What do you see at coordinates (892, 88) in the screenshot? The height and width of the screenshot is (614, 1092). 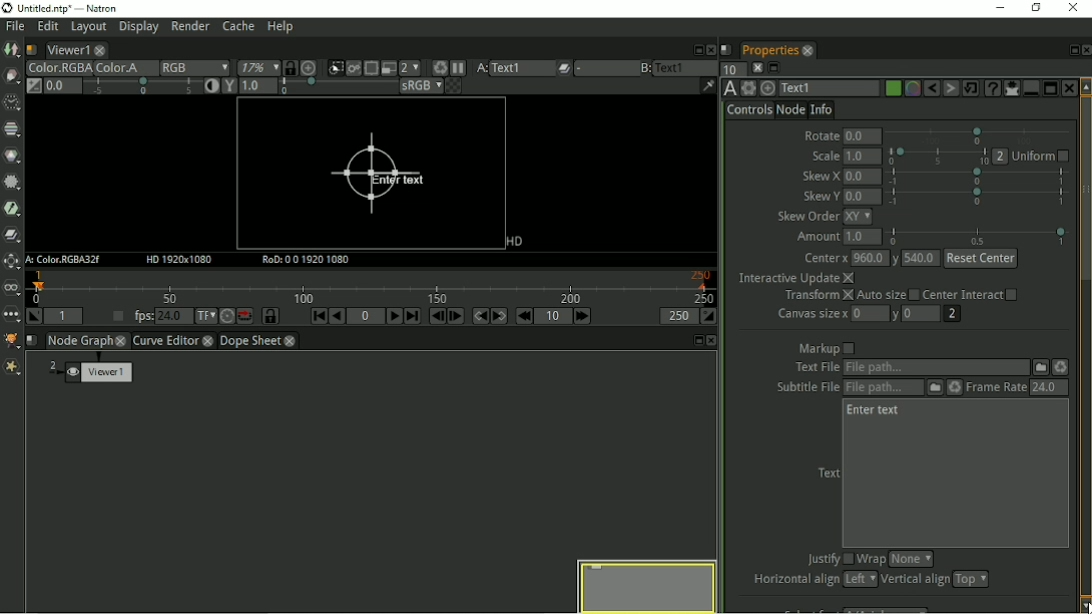 I see `Node color` at bounding box center [892, 88].